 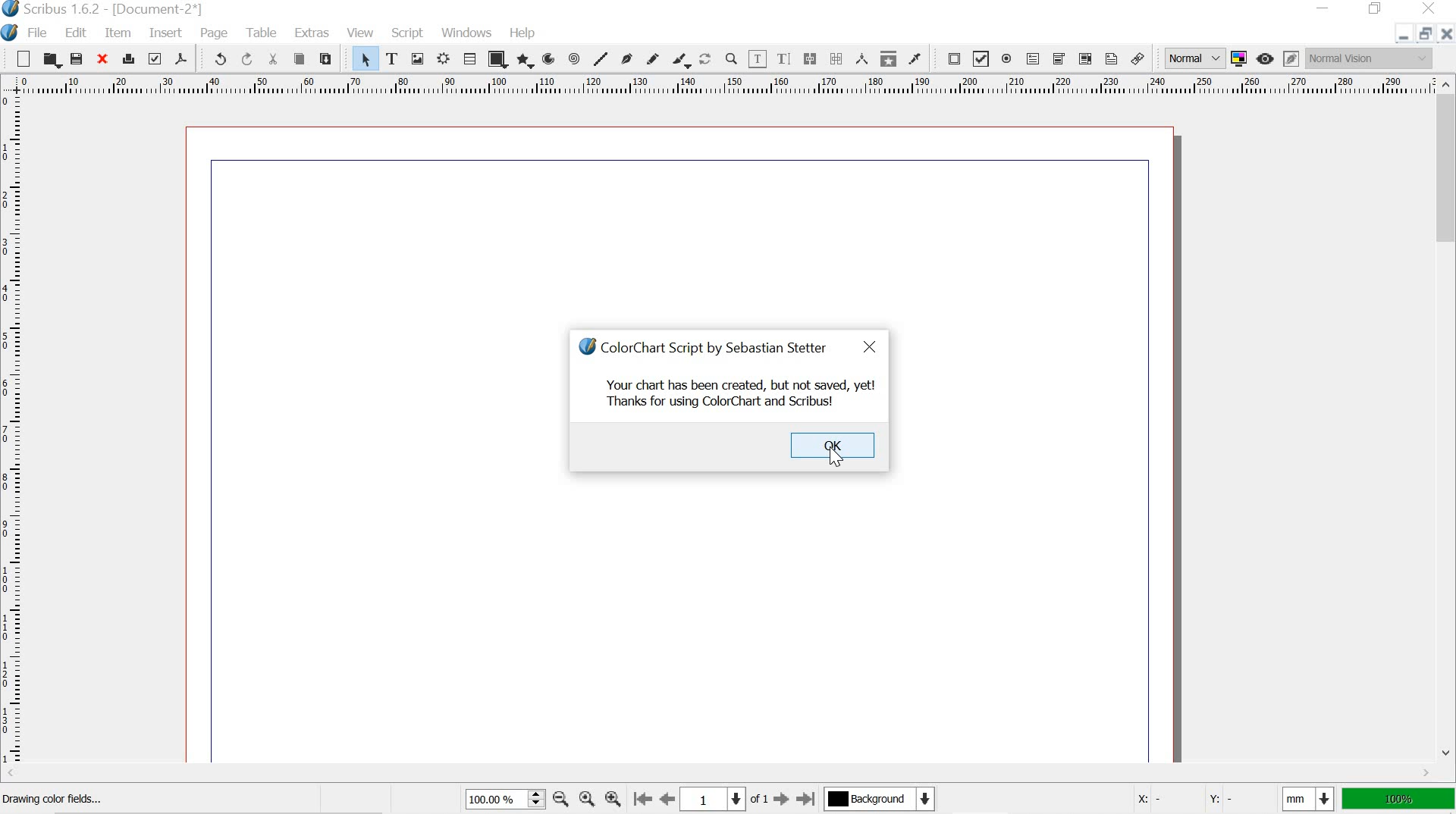 What do you see at coordinates (409, 33) in the screenshot?
I see `script` at bounding box center [409, 33].